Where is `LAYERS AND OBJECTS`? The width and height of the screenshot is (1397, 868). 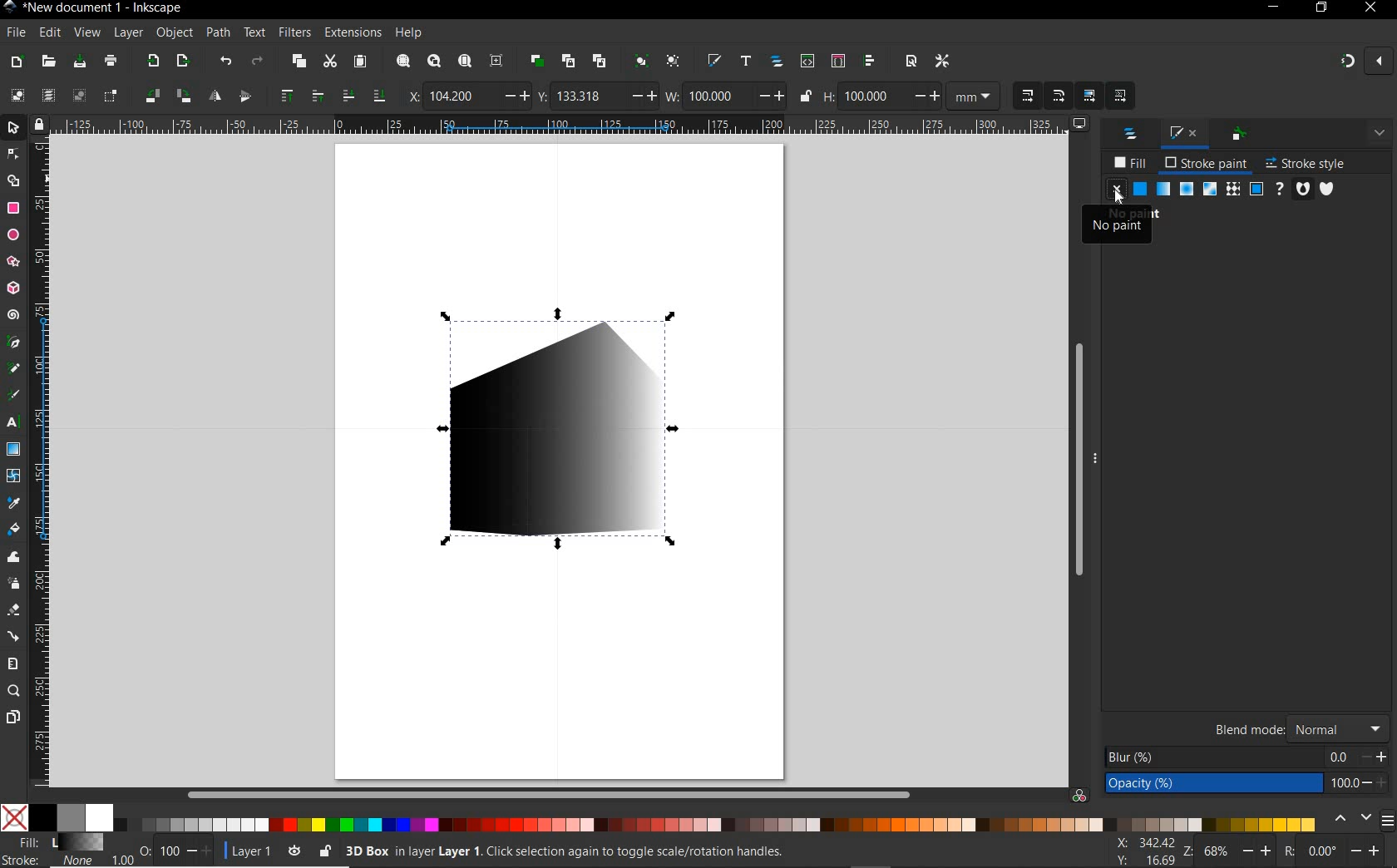 LAYERS AND OBJECTS is located at coordinates (1133, 136).